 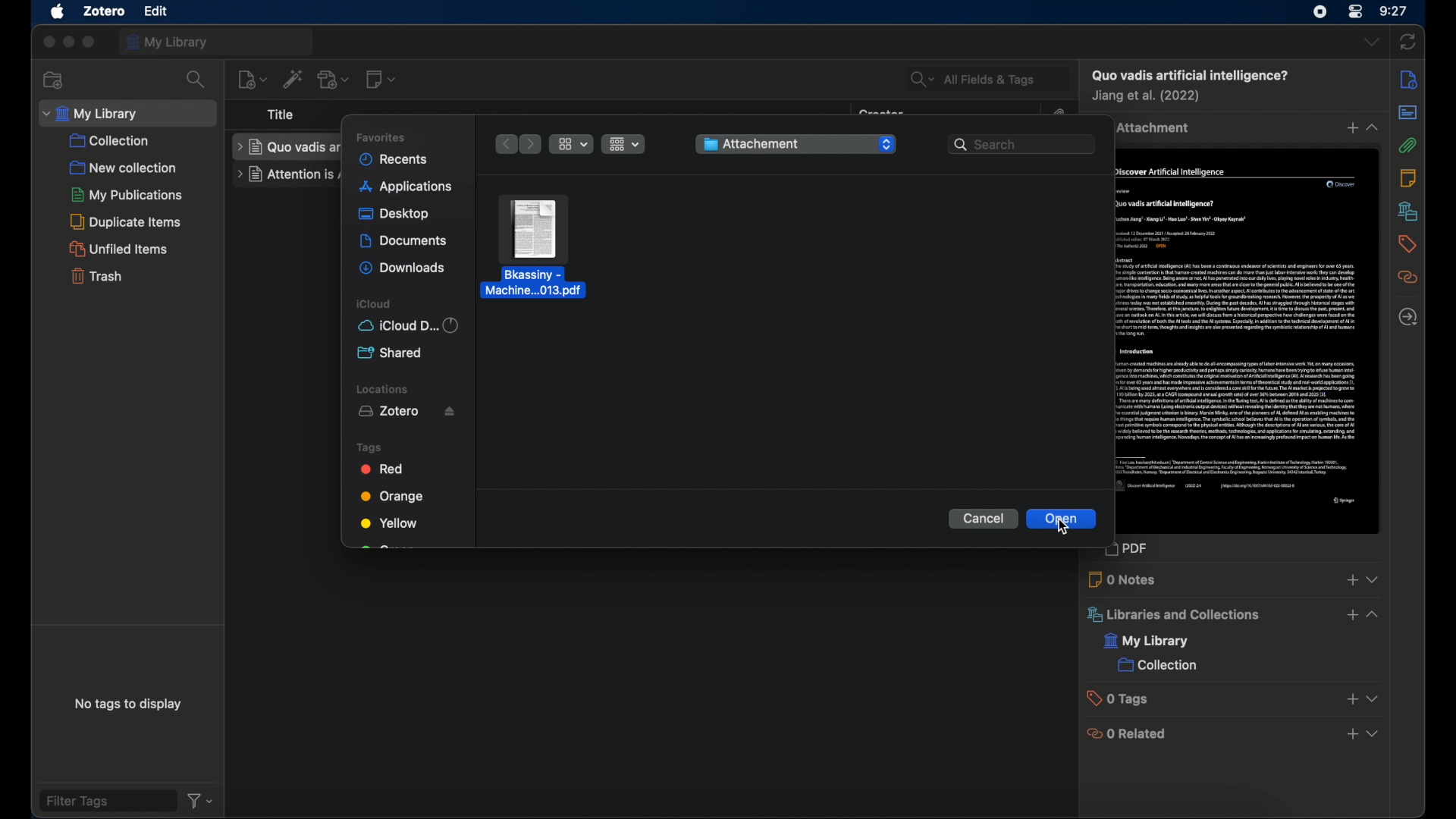 What do you see at coordinates (1373, 699) in the screenshot?
I see `dropdown menu` at bounding box center [1373, 699].